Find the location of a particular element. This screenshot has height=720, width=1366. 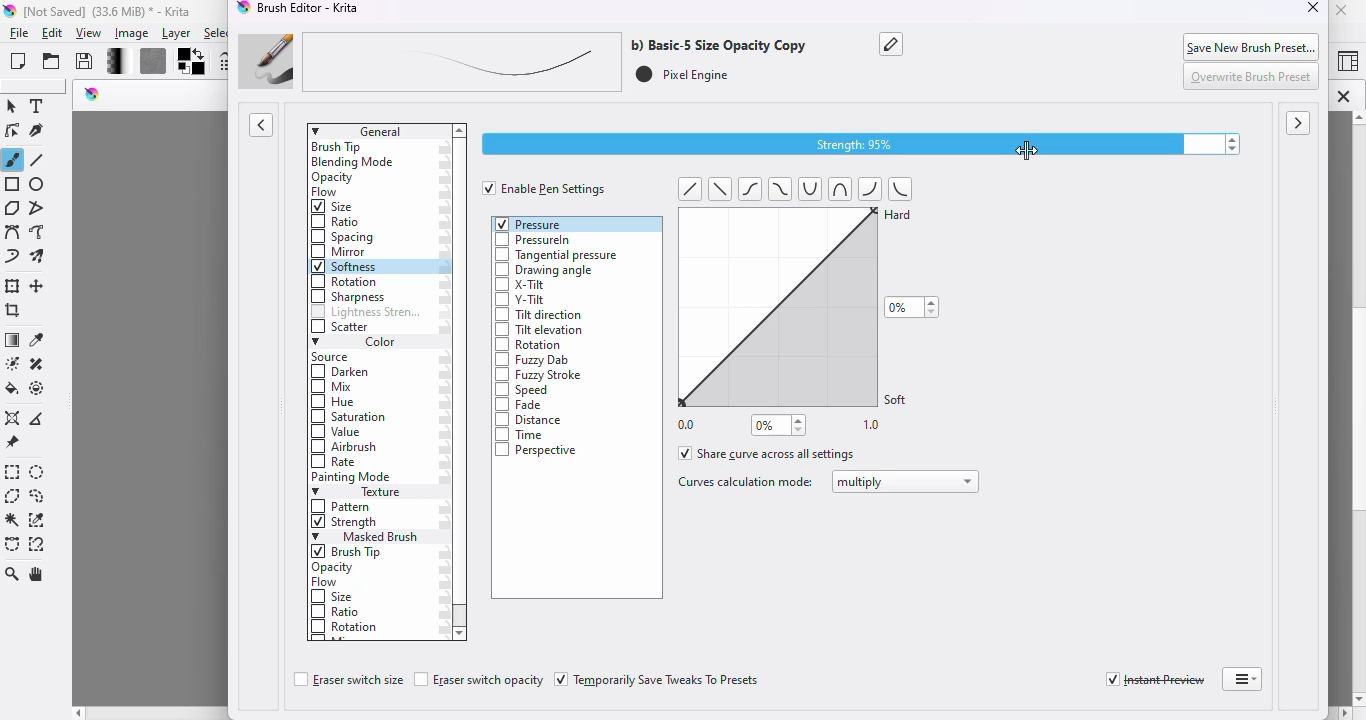

painting mode is located at coordinates (353, 478).